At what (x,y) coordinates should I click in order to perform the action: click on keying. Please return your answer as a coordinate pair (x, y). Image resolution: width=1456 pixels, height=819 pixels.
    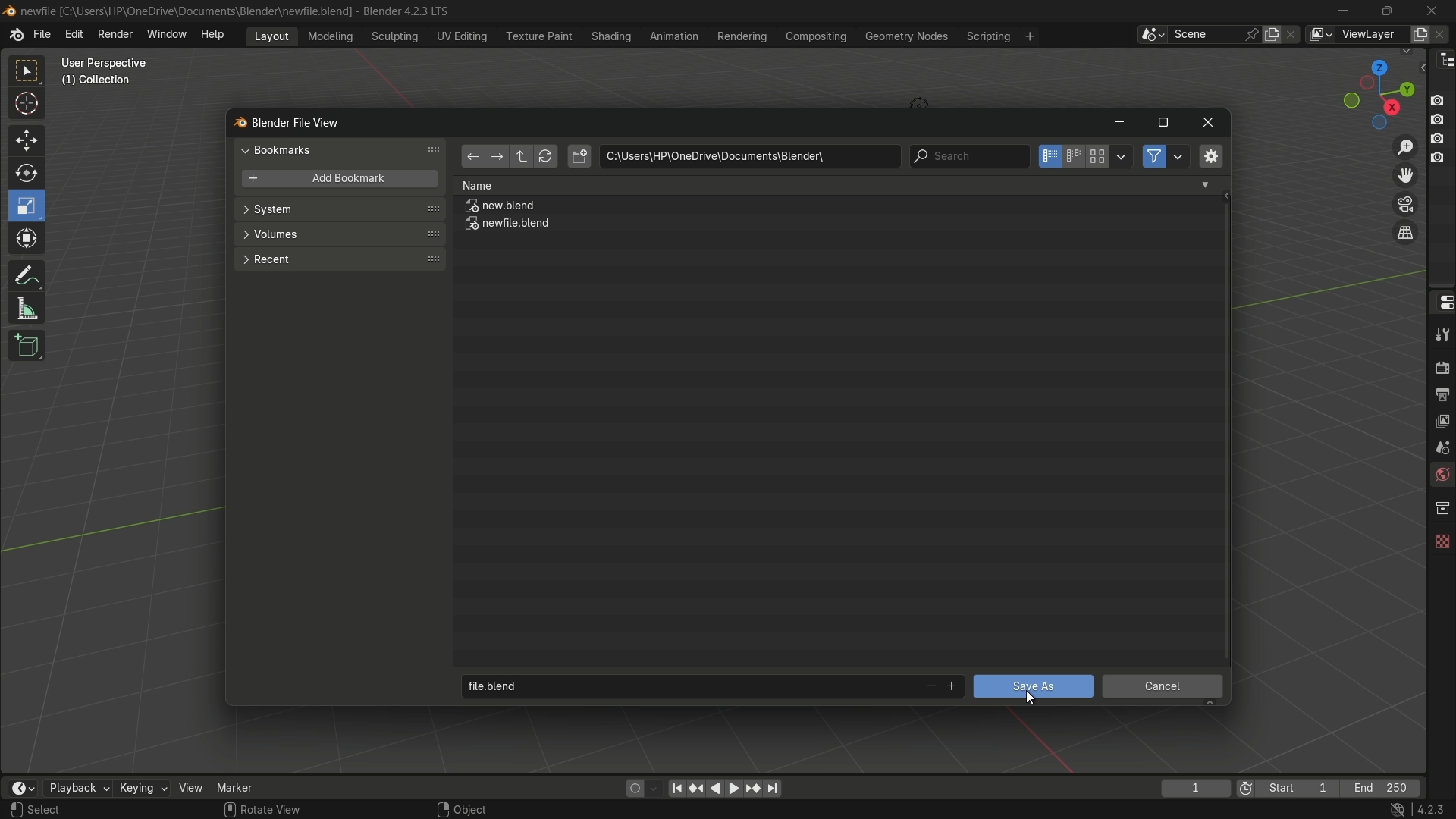
    Looking at the image, I should click on (142, 789).